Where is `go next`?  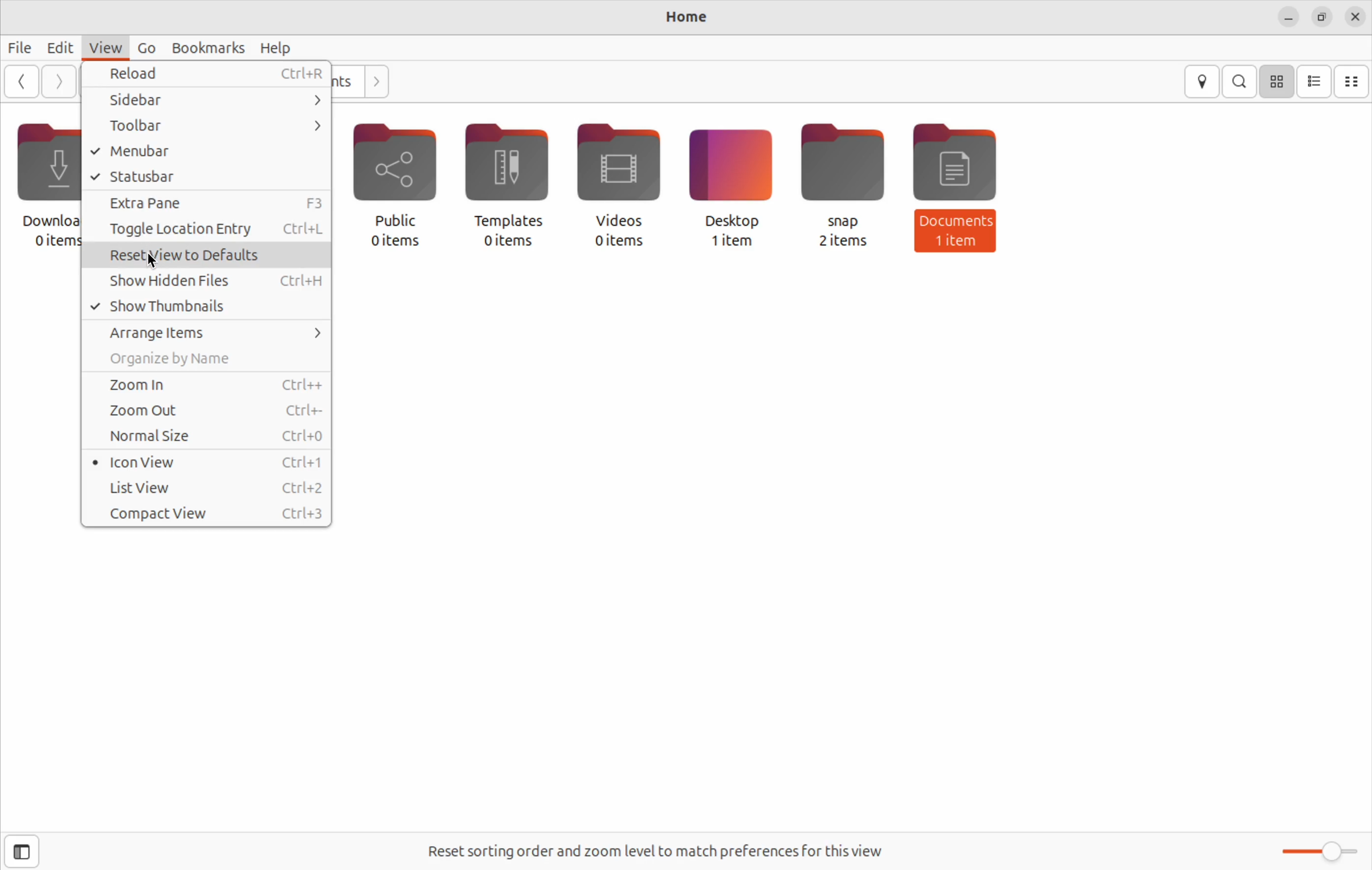
go next is located at coordinates (56, 80).